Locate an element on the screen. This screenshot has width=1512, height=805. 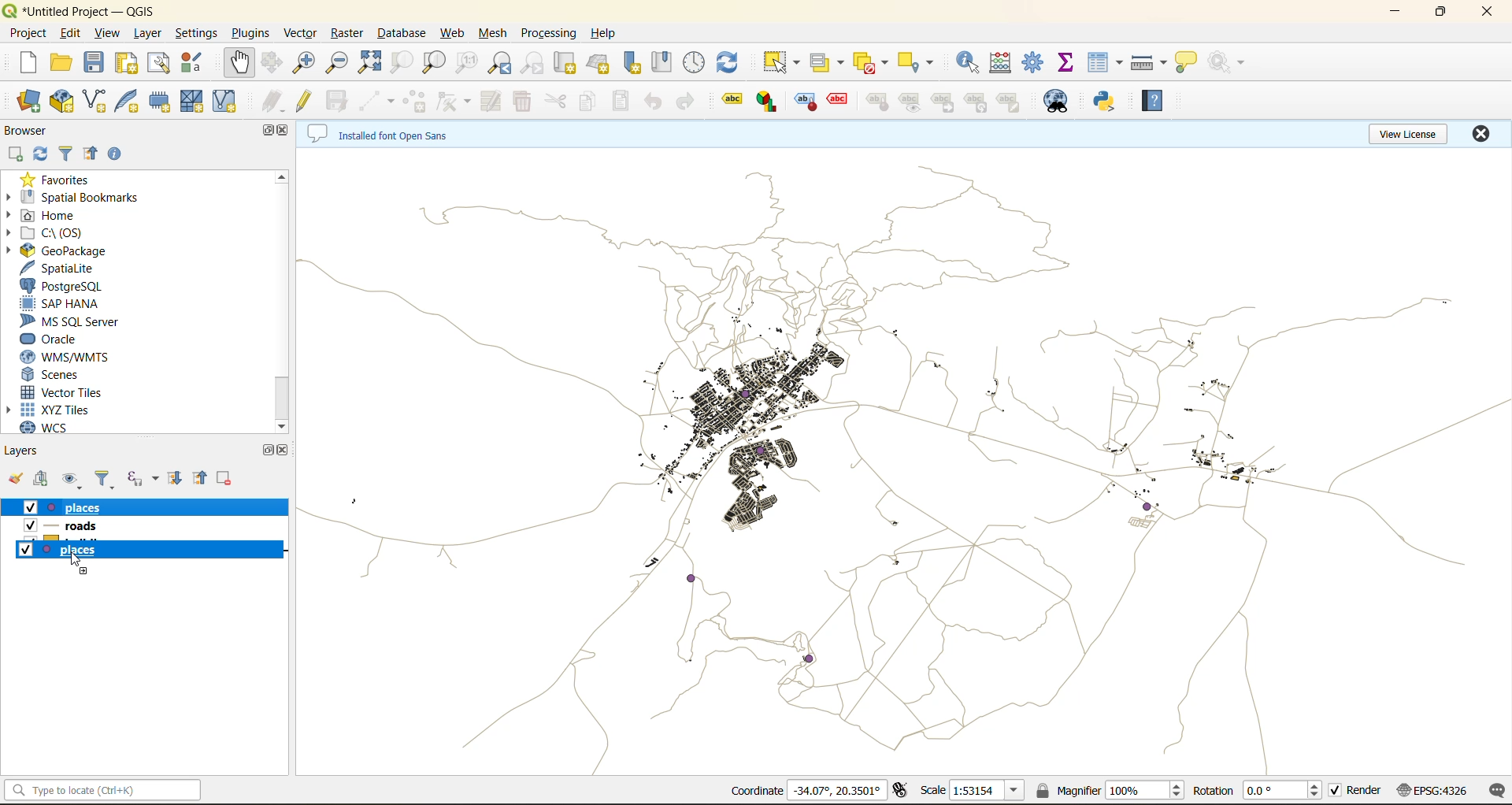
mesh layer is located at coordinates (196, 103).